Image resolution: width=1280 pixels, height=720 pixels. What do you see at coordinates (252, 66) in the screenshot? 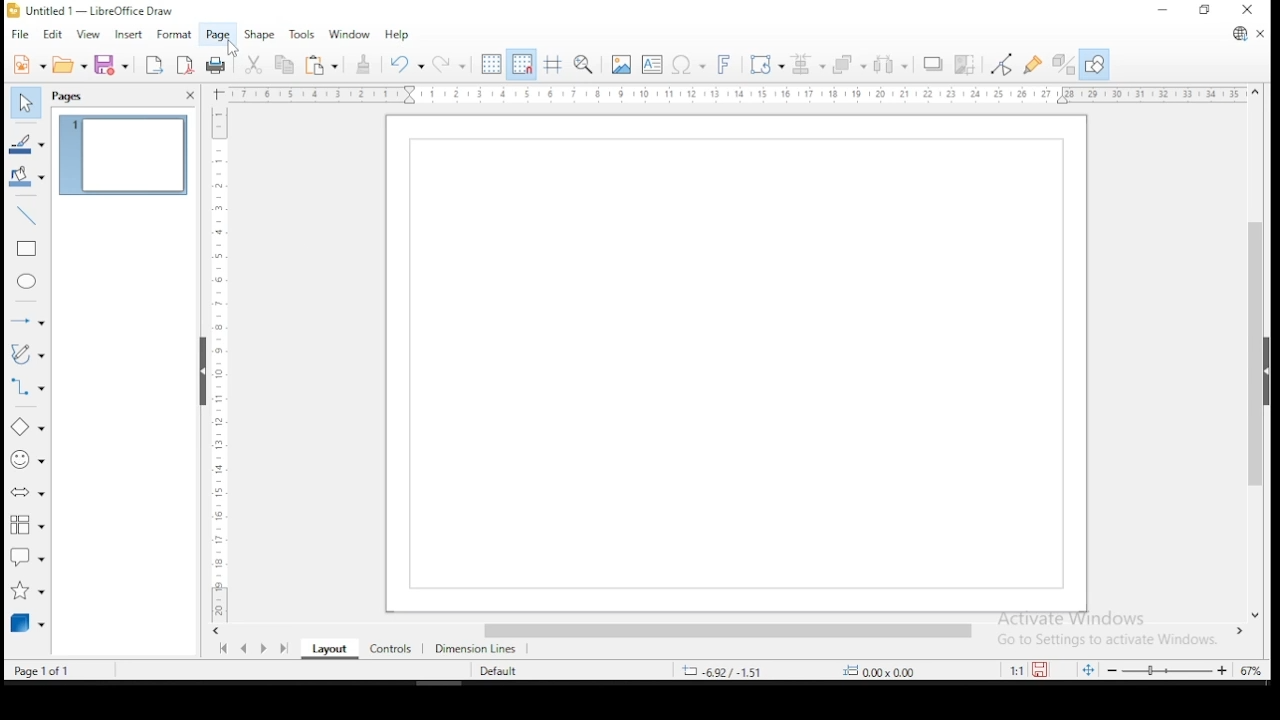
I see `cut` at bounding box center [252, 66].